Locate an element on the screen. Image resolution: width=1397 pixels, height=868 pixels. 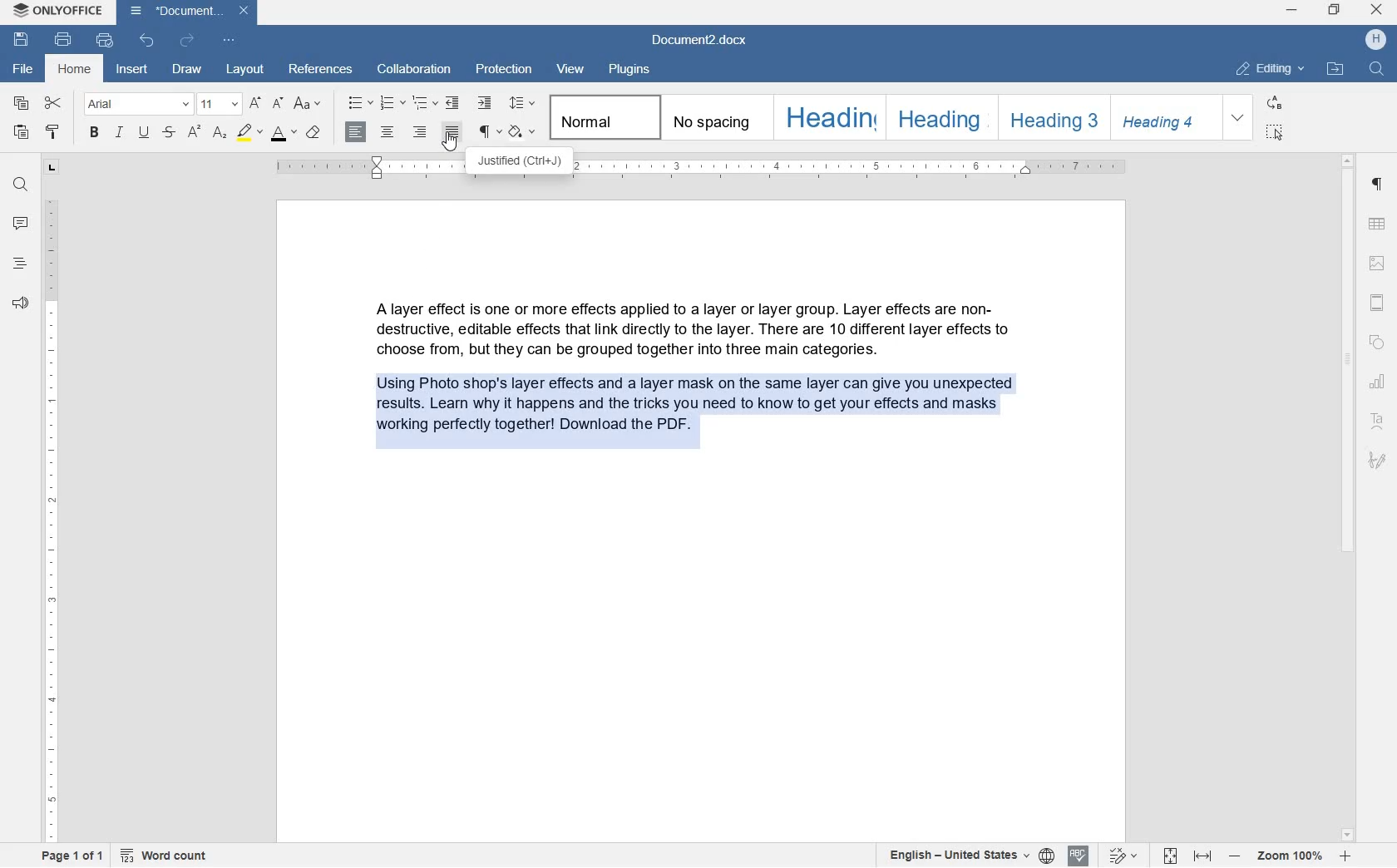
RULER is located at coordinates (49, 520).